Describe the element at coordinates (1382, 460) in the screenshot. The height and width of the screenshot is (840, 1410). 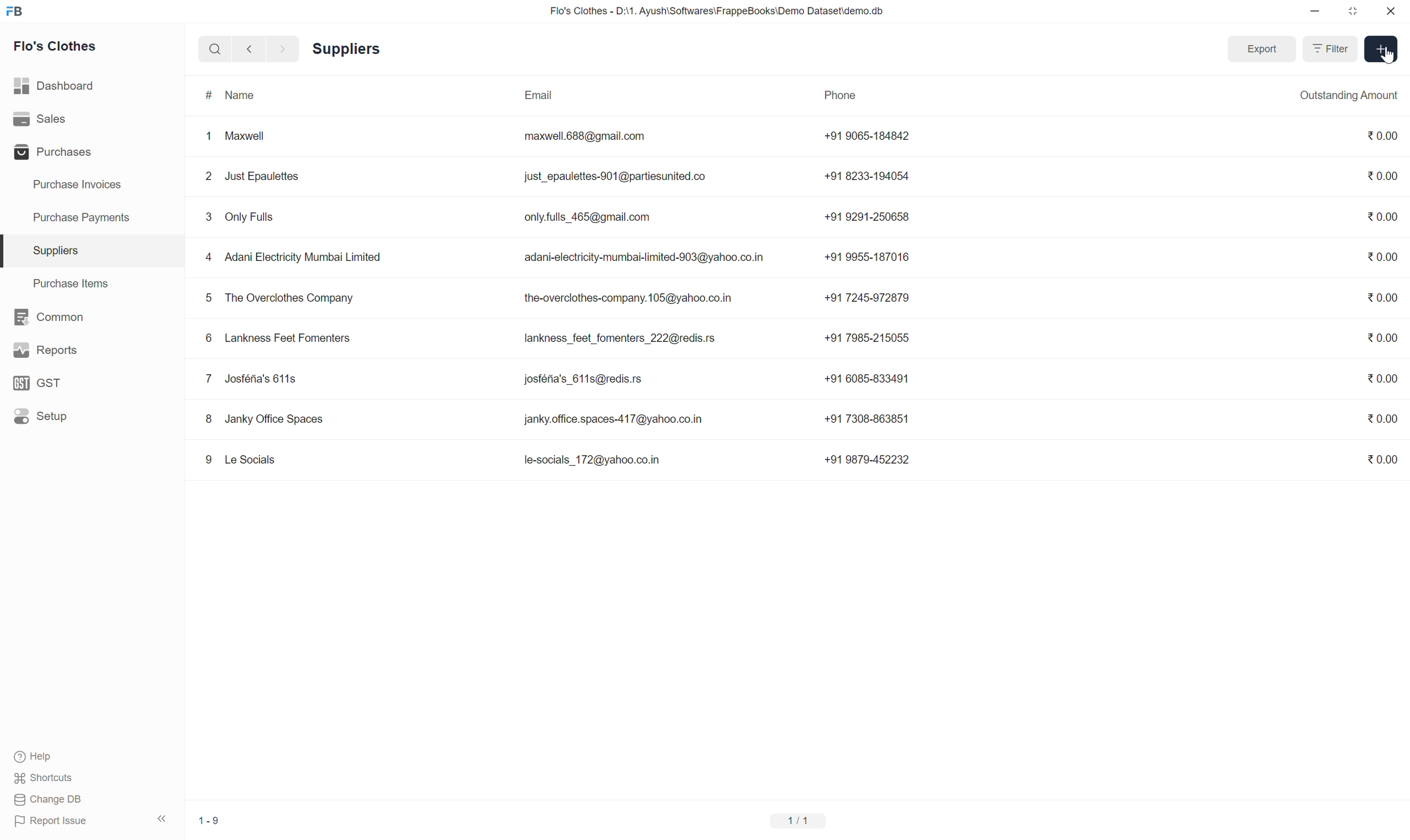
I see `0.00` at that location.